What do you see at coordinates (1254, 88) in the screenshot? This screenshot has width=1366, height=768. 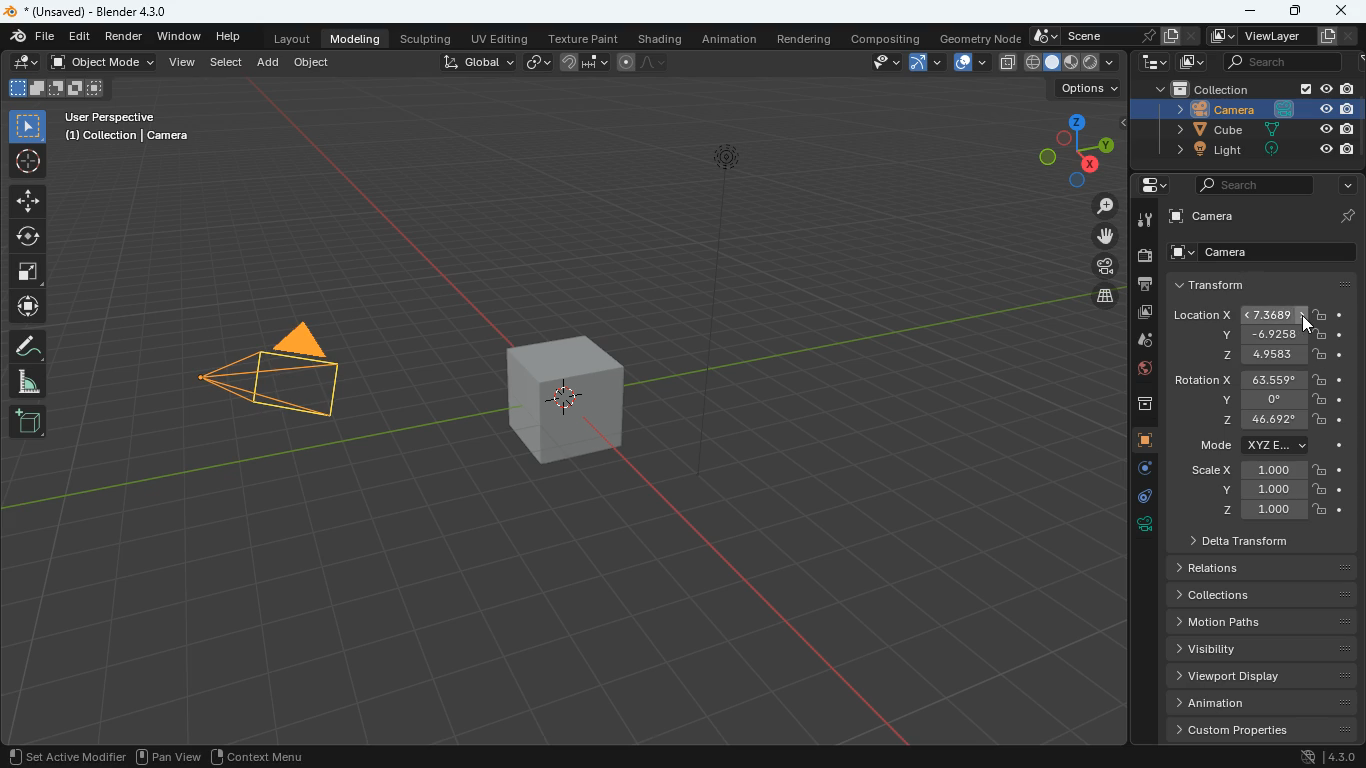 I see `collection` at bounding box center [1254, 88].